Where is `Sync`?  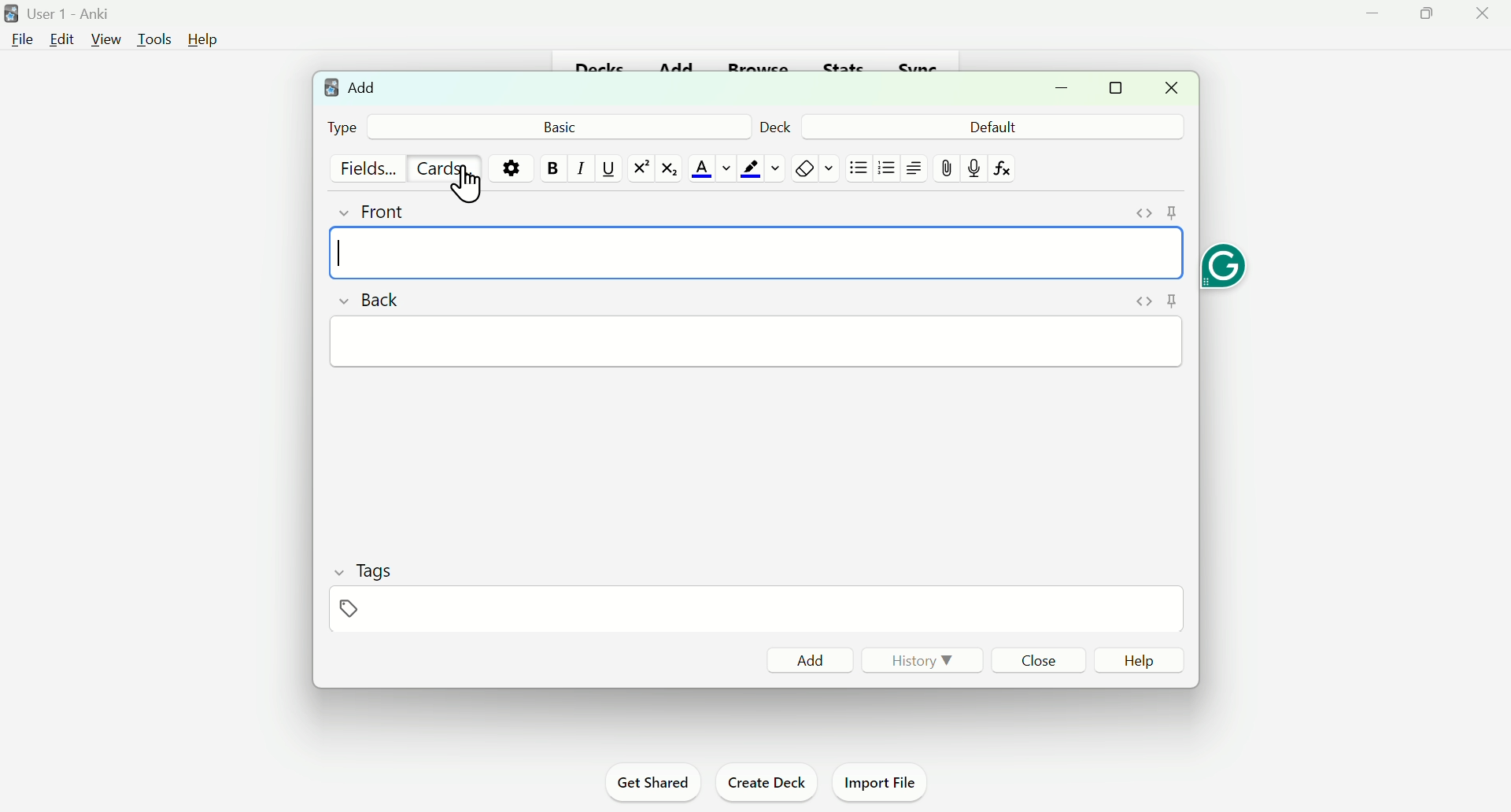
Sync is located at coordinates (916, 65).